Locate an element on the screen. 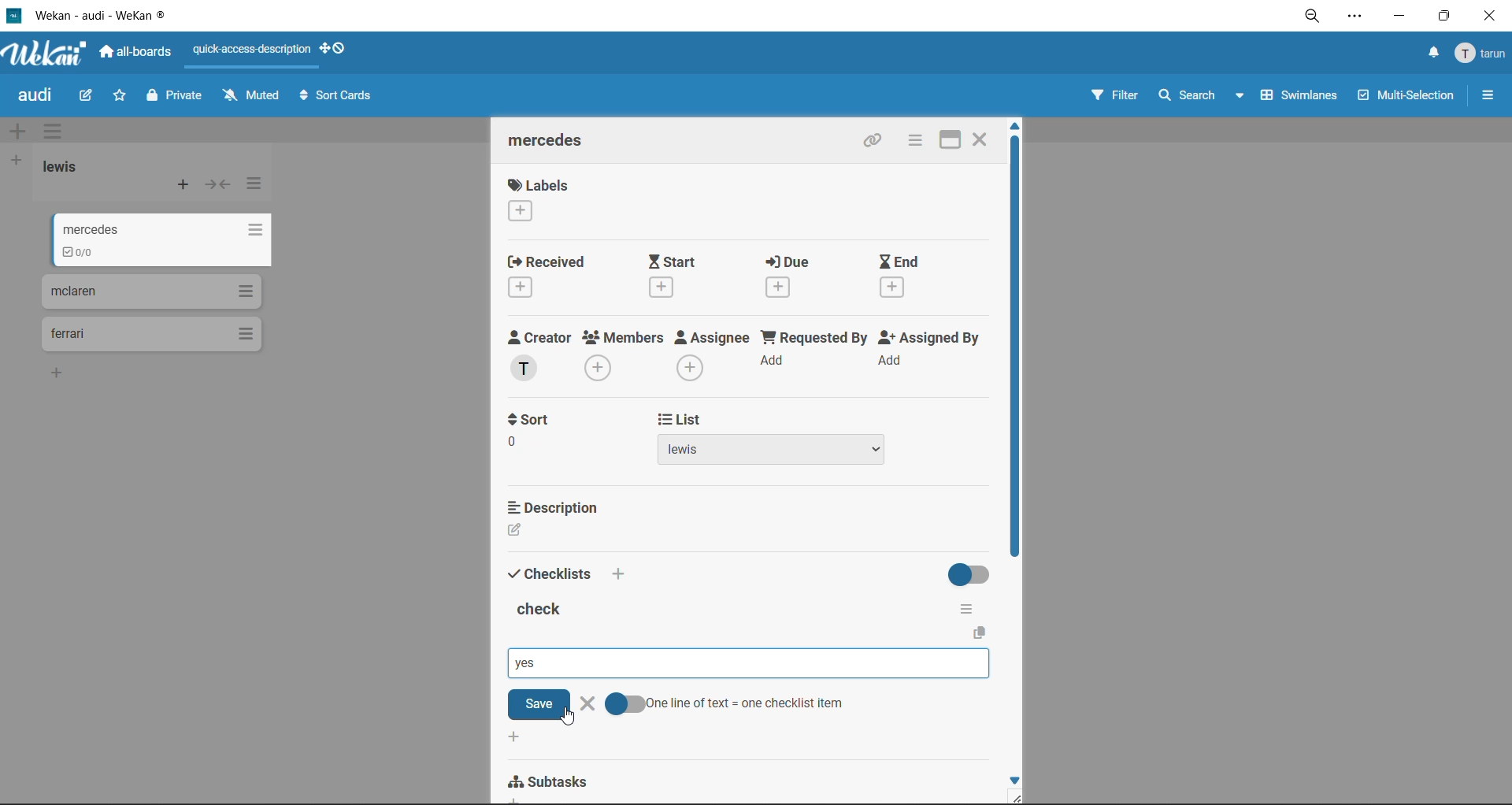 This screenshot has width=1512, height=805. add is located at coordinates (621, 575).